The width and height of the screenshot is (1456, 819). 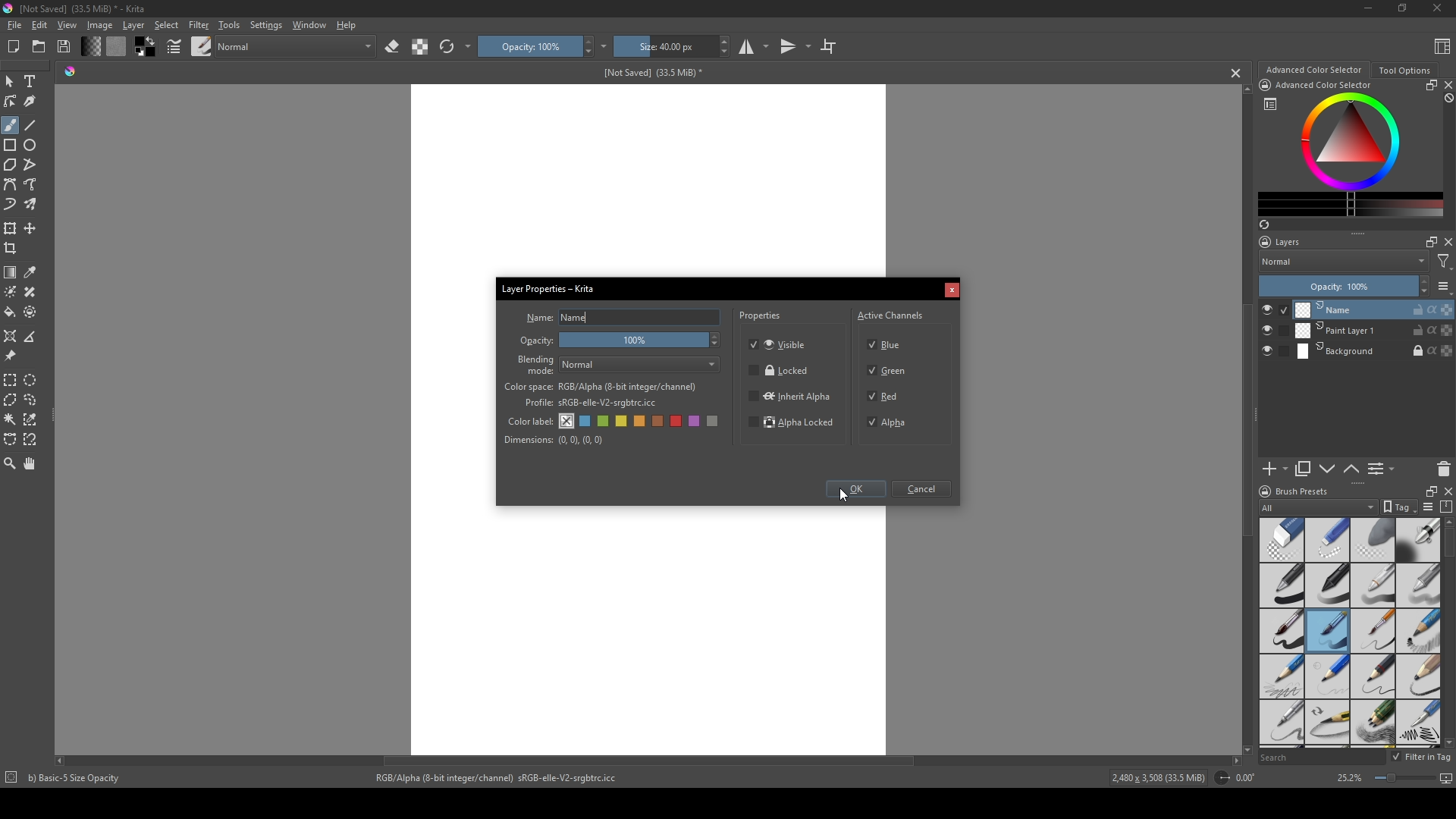 What do you see at coordinates (828, 45) in the screenshot?
I see `crop` at bounding box center [828, 45].